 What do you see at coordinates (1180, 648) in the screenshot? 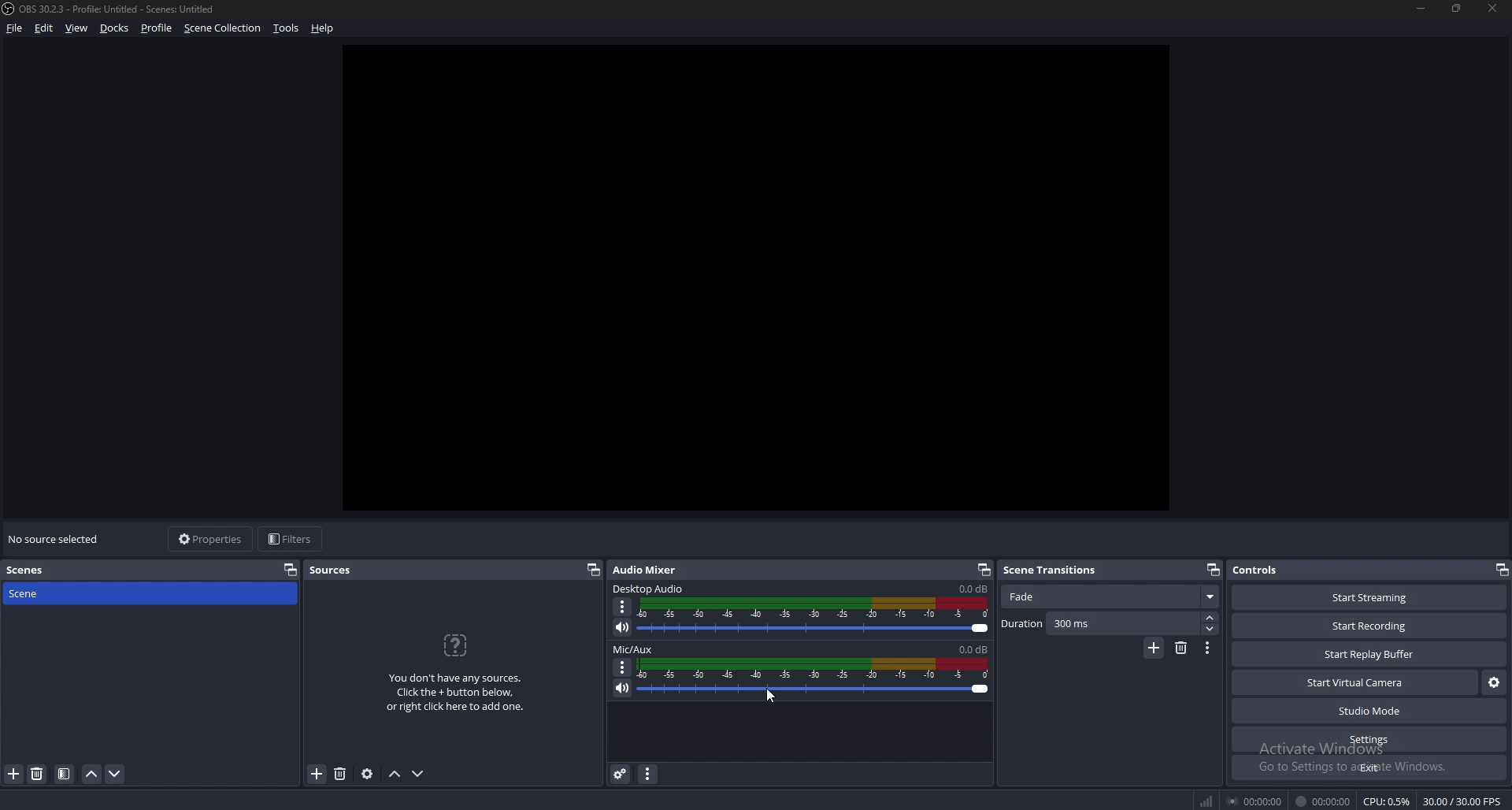
I see `remove scene` at bounding box center [1180, 648].